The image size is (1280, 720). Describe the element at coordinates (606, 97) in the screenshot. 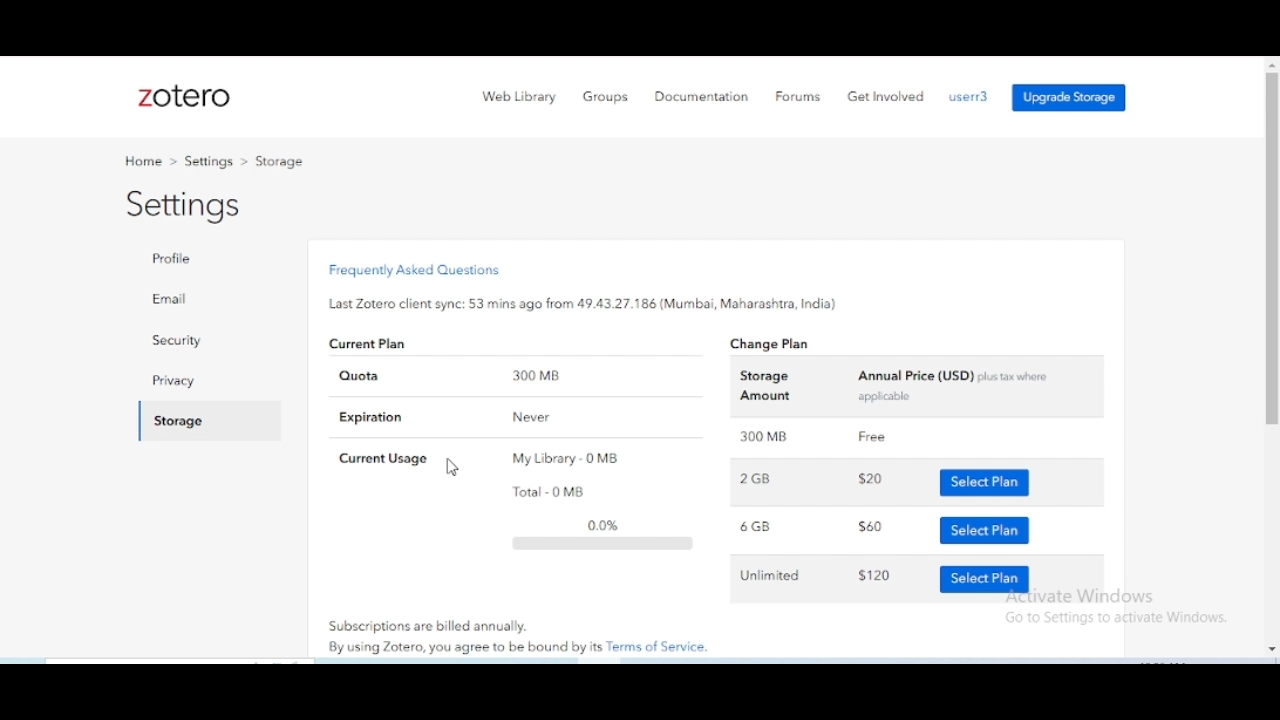

I see `groups` at that location.